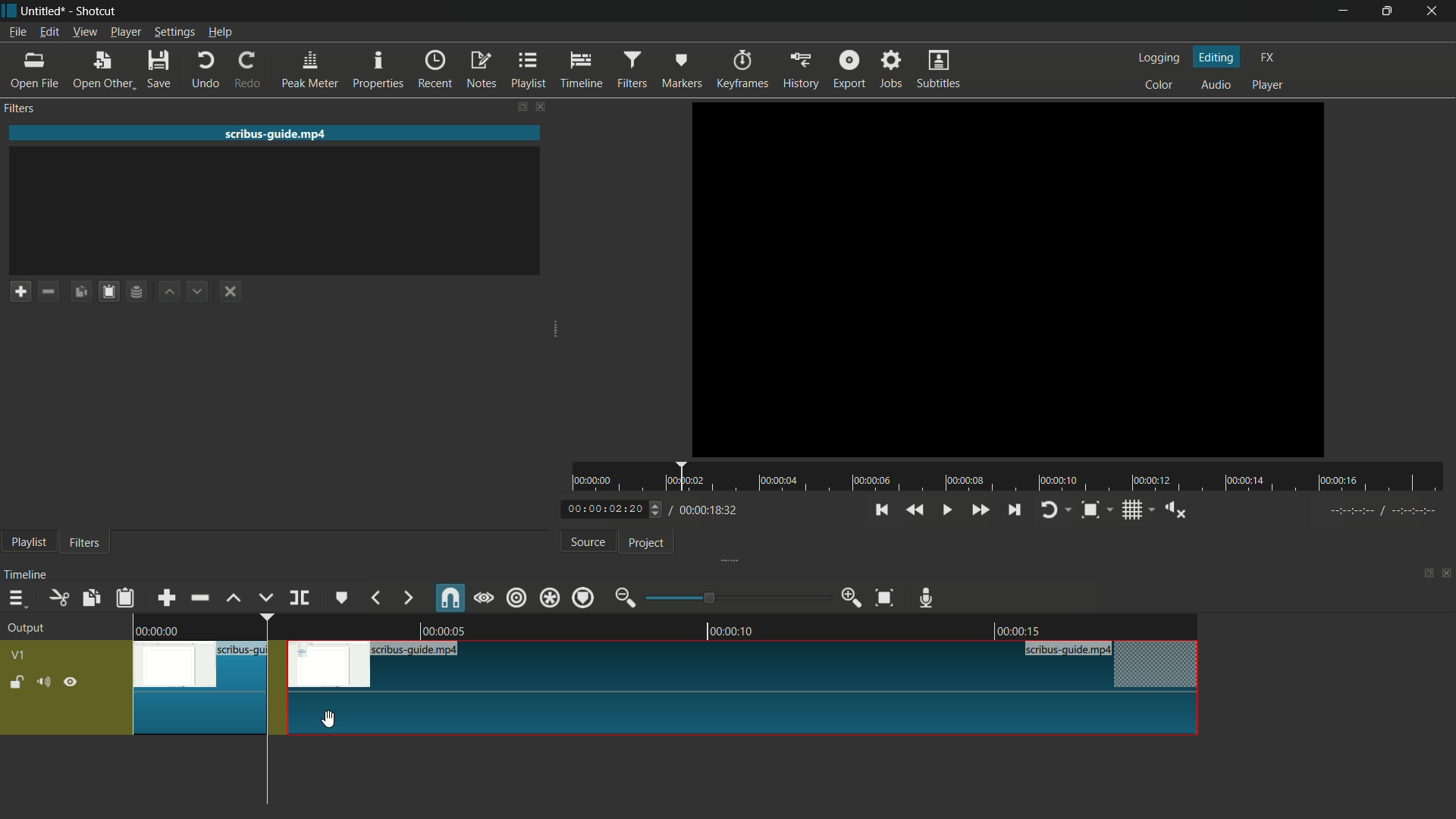 Image resolution: width=1456 pixels, height=819 pixels. Describe the element at coordinates (263, 598) in the screenshot. I see `overwrite` at that location.